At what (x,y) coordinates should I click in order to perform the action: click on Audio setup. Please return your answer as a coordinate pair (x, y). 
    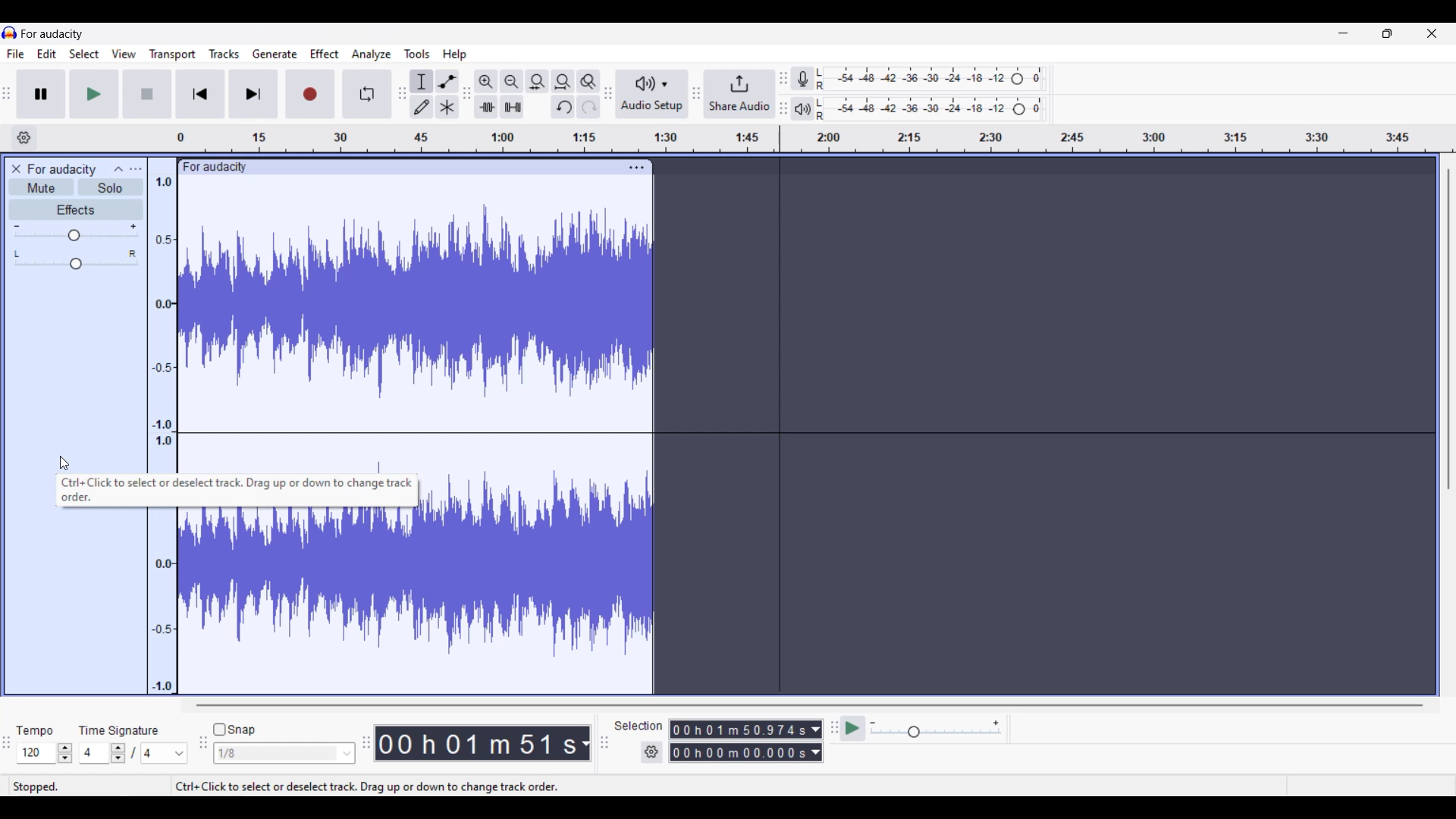
    Looking at the image, I should click on (653, 94).